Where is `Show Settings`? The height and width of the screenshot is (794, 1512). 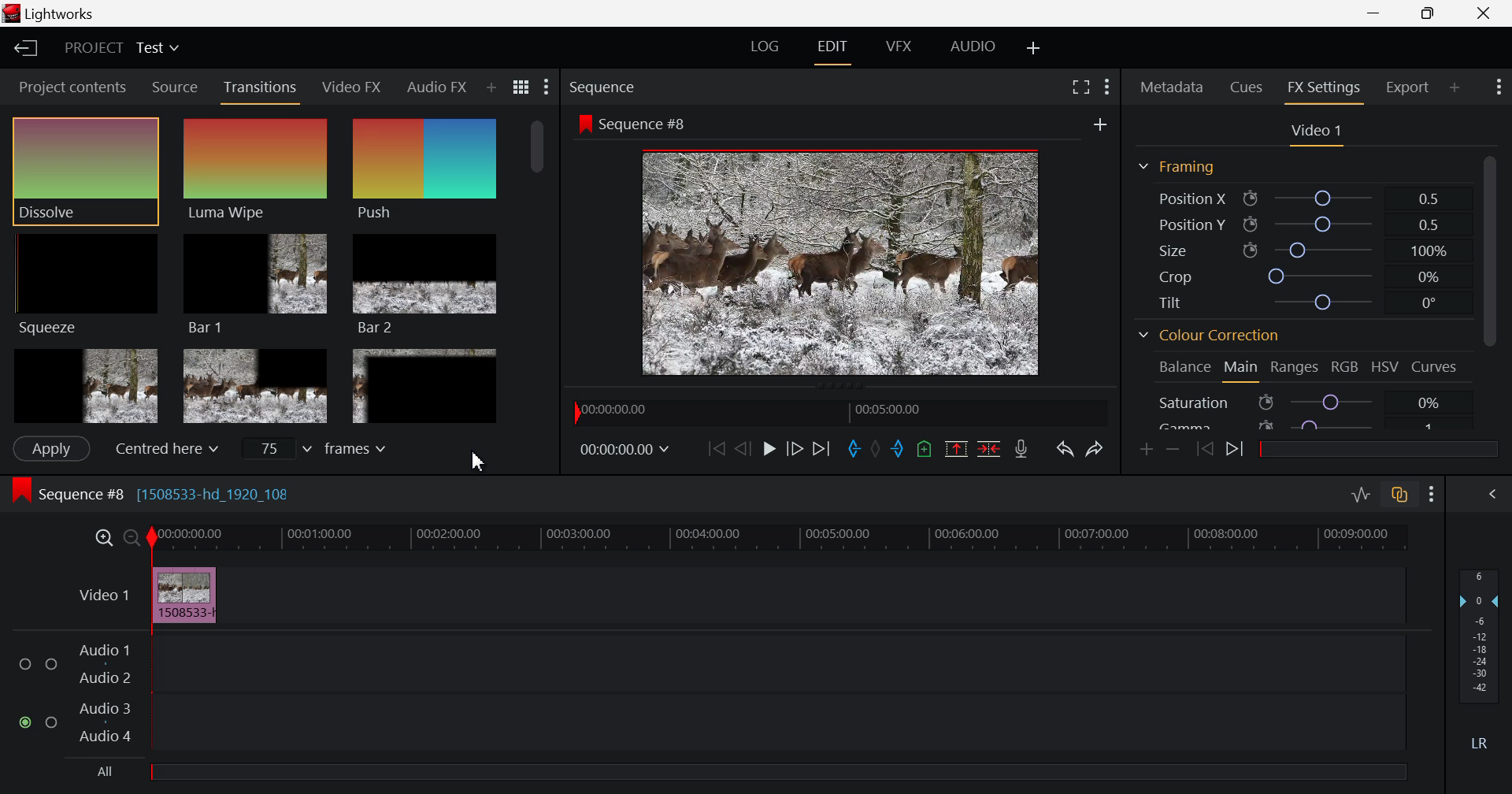
Show Settings is located at coordinates (544, 89).